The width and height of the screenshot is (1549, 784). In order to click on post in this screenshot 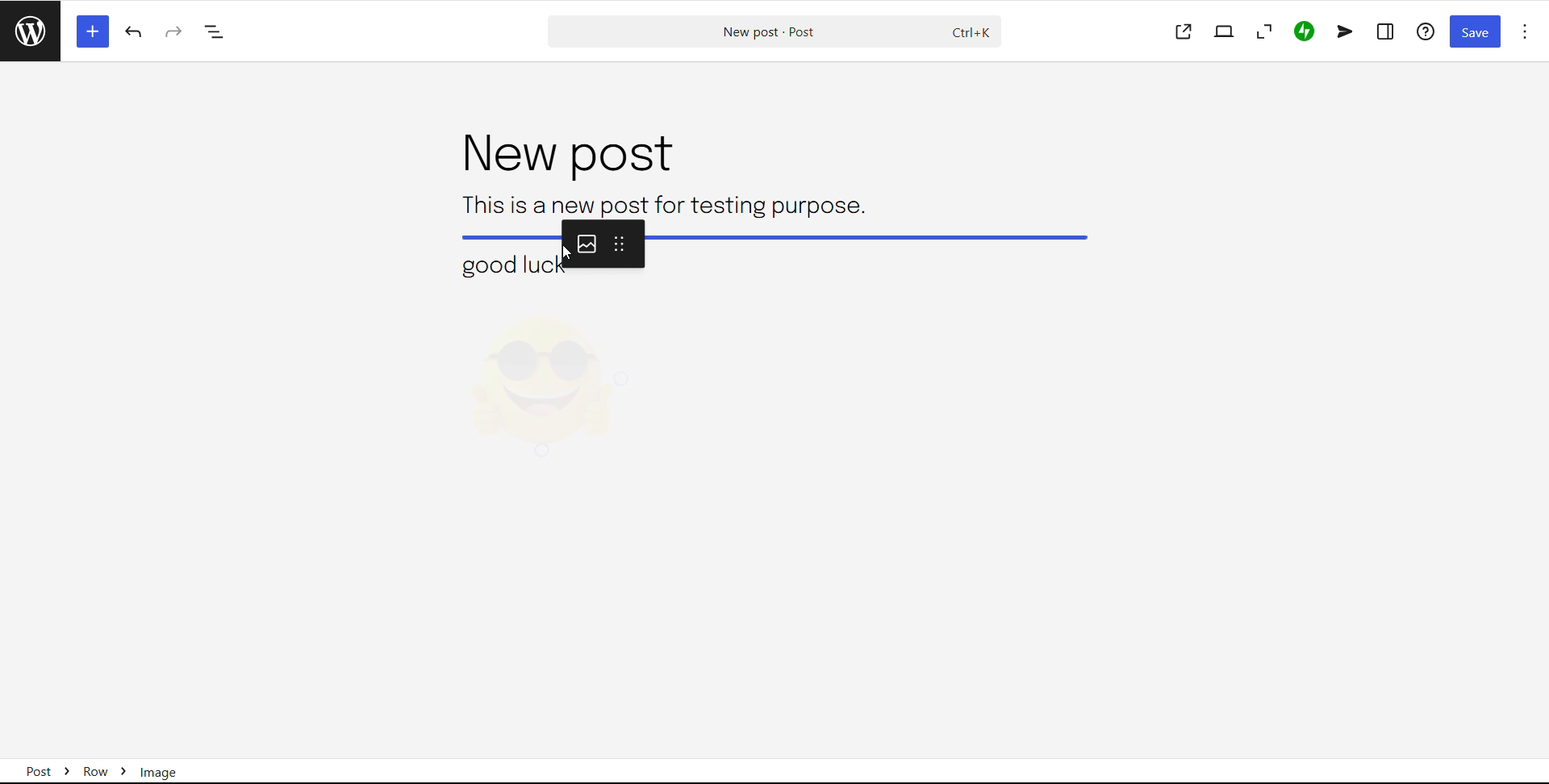, I will do `click(563, 155)`.